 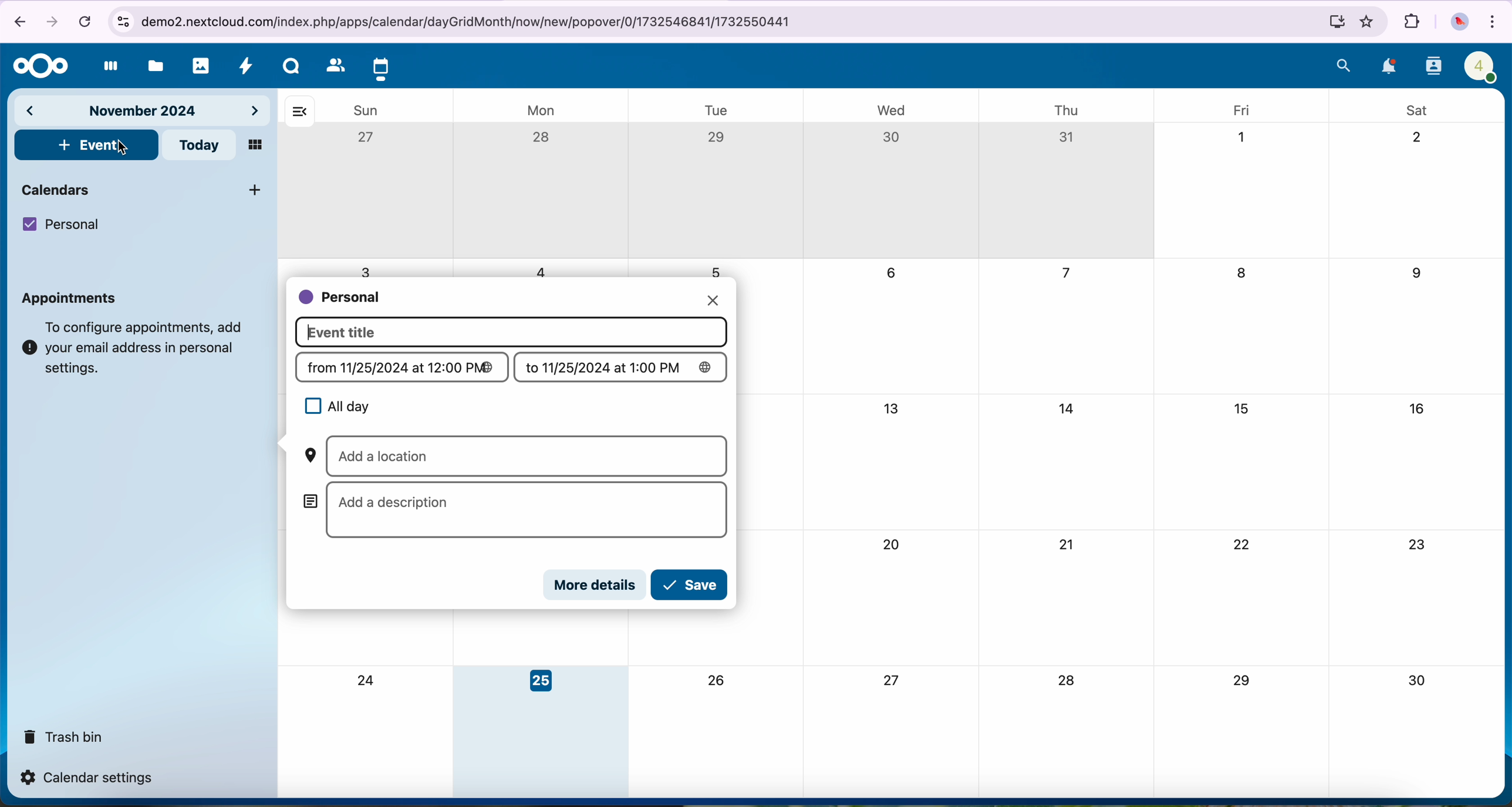 I want to click on save, so click(x=691, y=585).